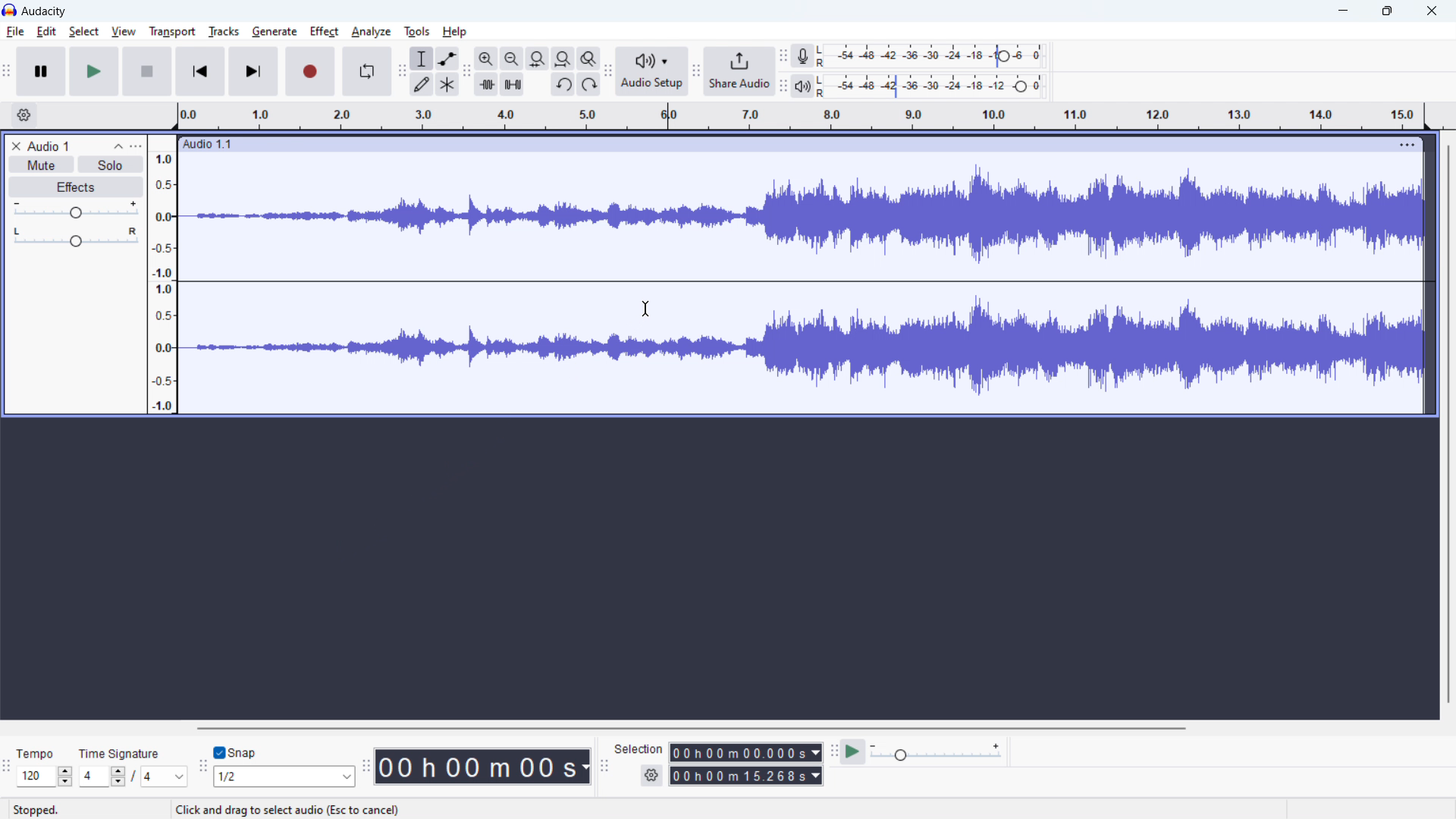 The width and height of the screenshot is (1456, 819). I want to click on Audacity logo, so click(10, 10).